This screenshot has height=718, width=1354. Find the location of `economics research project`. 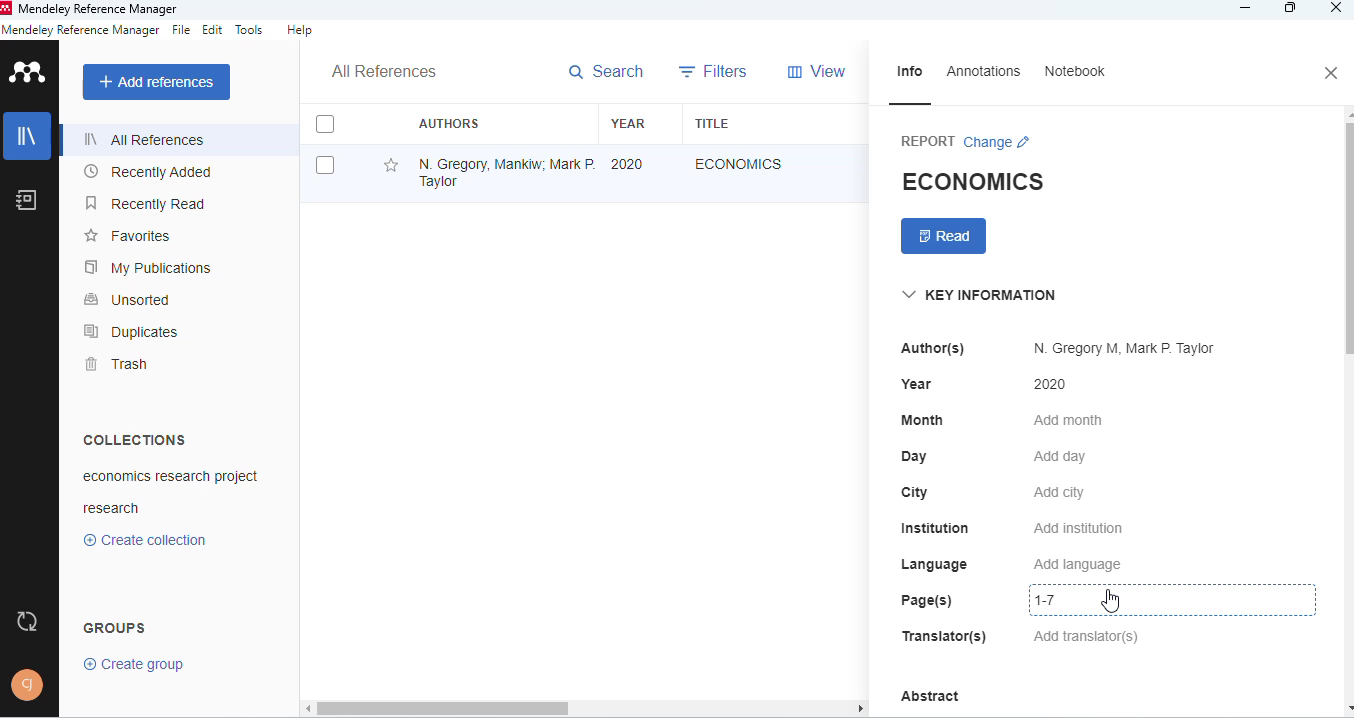

economics research project is located at coordinates (172, 477).